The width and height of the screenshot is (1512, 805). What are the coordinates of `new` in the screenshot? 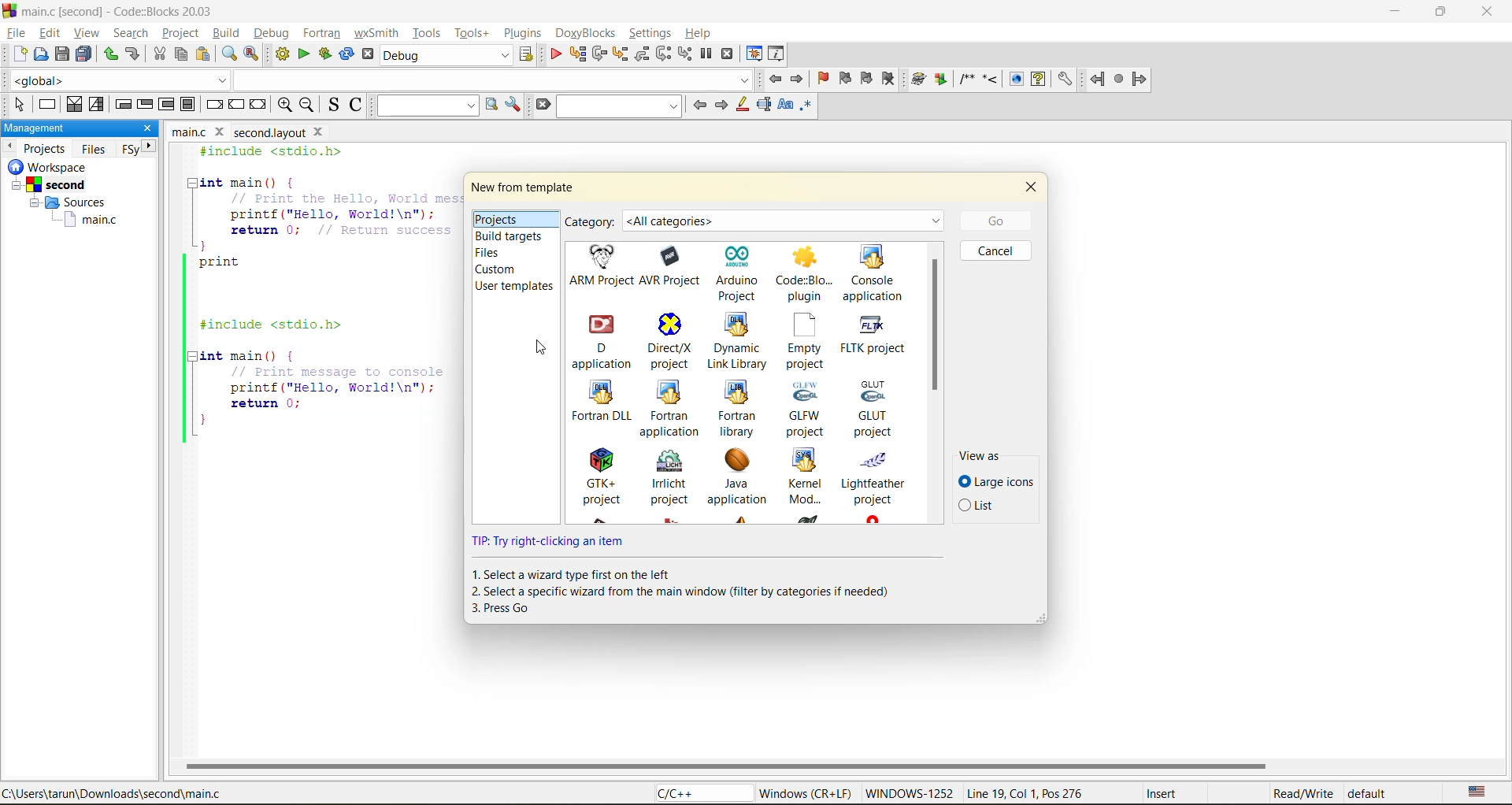 It's located at (14, 57).